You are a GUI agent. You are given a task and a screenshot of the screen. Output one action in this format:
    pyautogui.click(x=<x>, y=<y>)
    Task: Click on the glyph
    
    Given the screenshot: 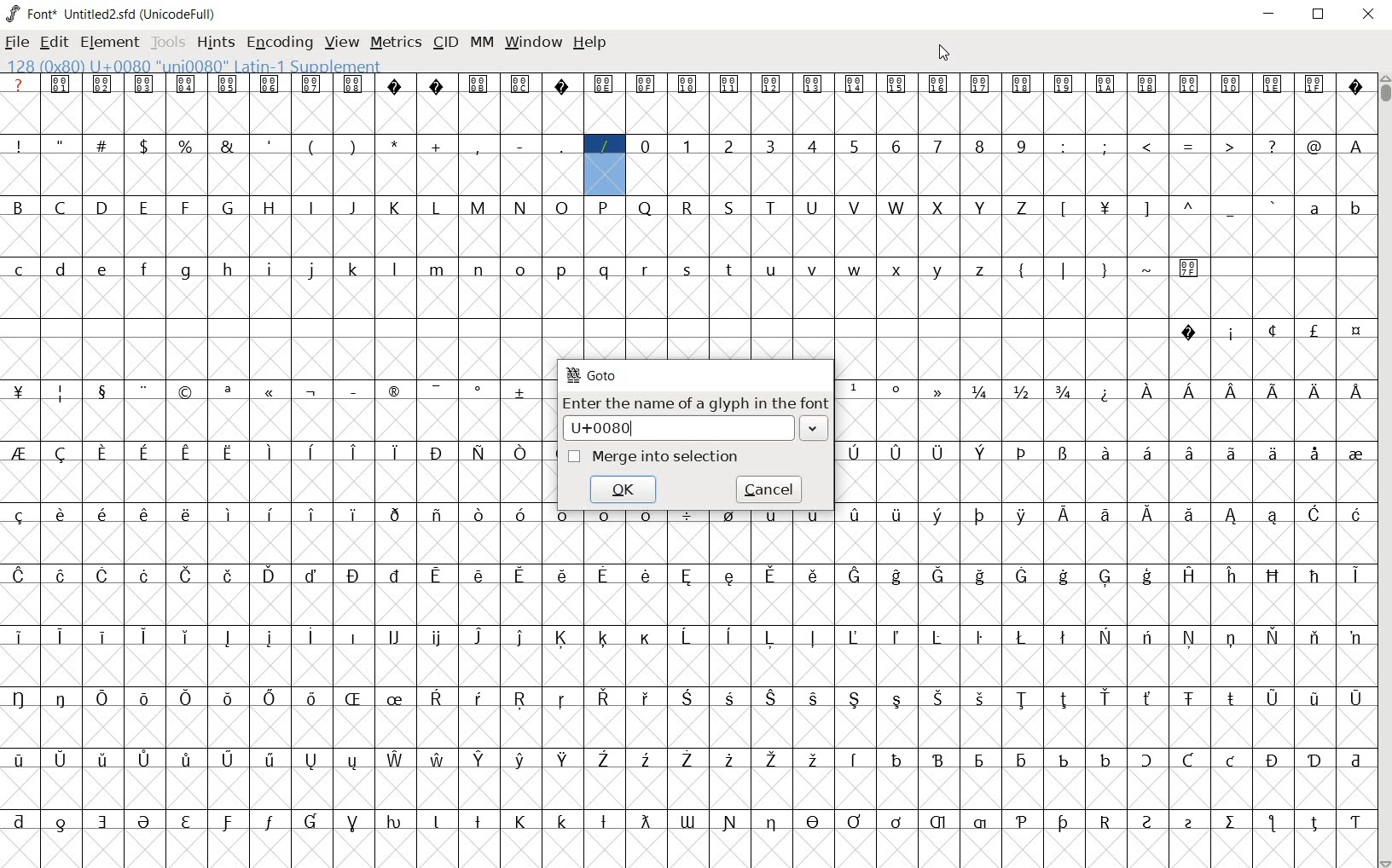 What is the action you would take?
    pyautogui.click(x=1231, y=211)
    